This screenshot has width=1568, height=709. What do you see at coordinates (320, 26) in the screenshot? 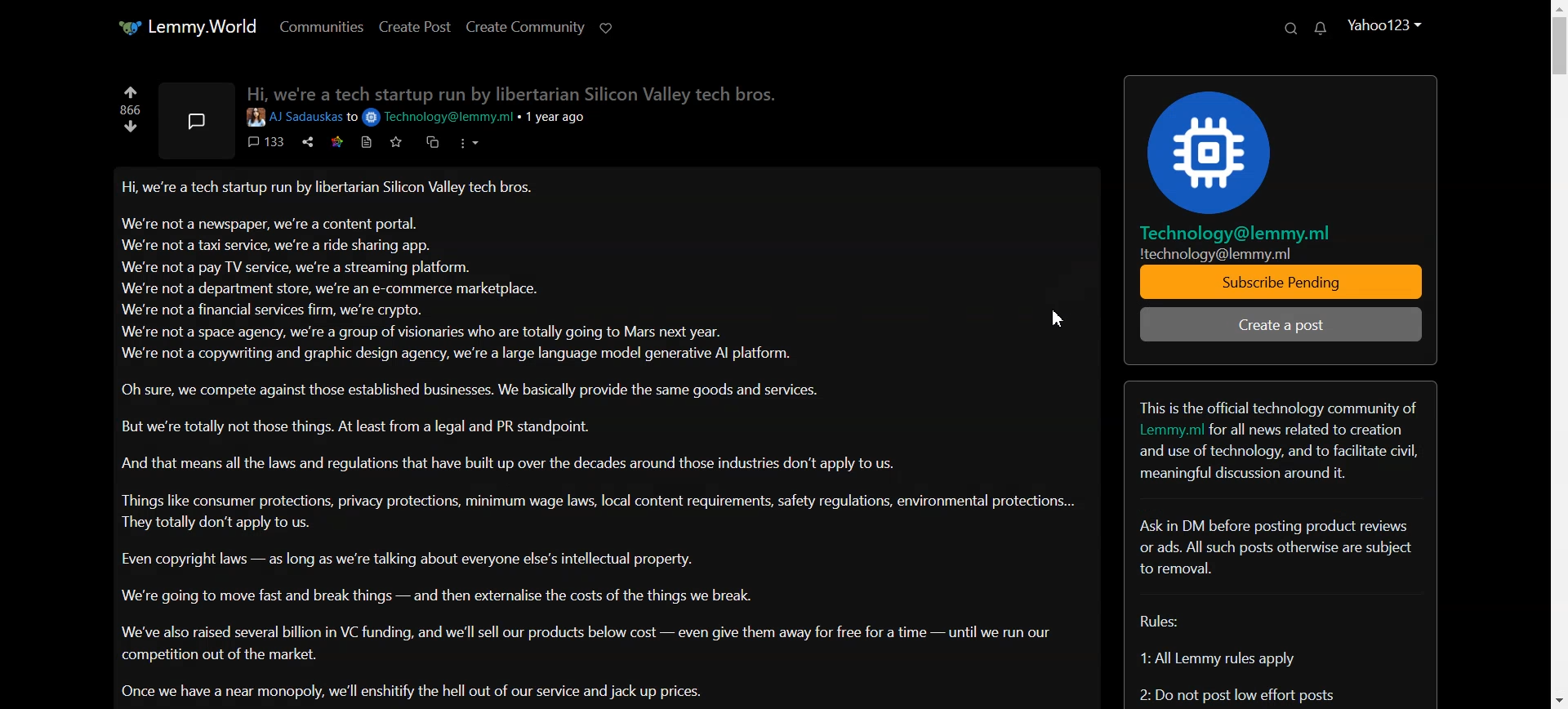
I see `Communities` at bounding box center [320, 26].